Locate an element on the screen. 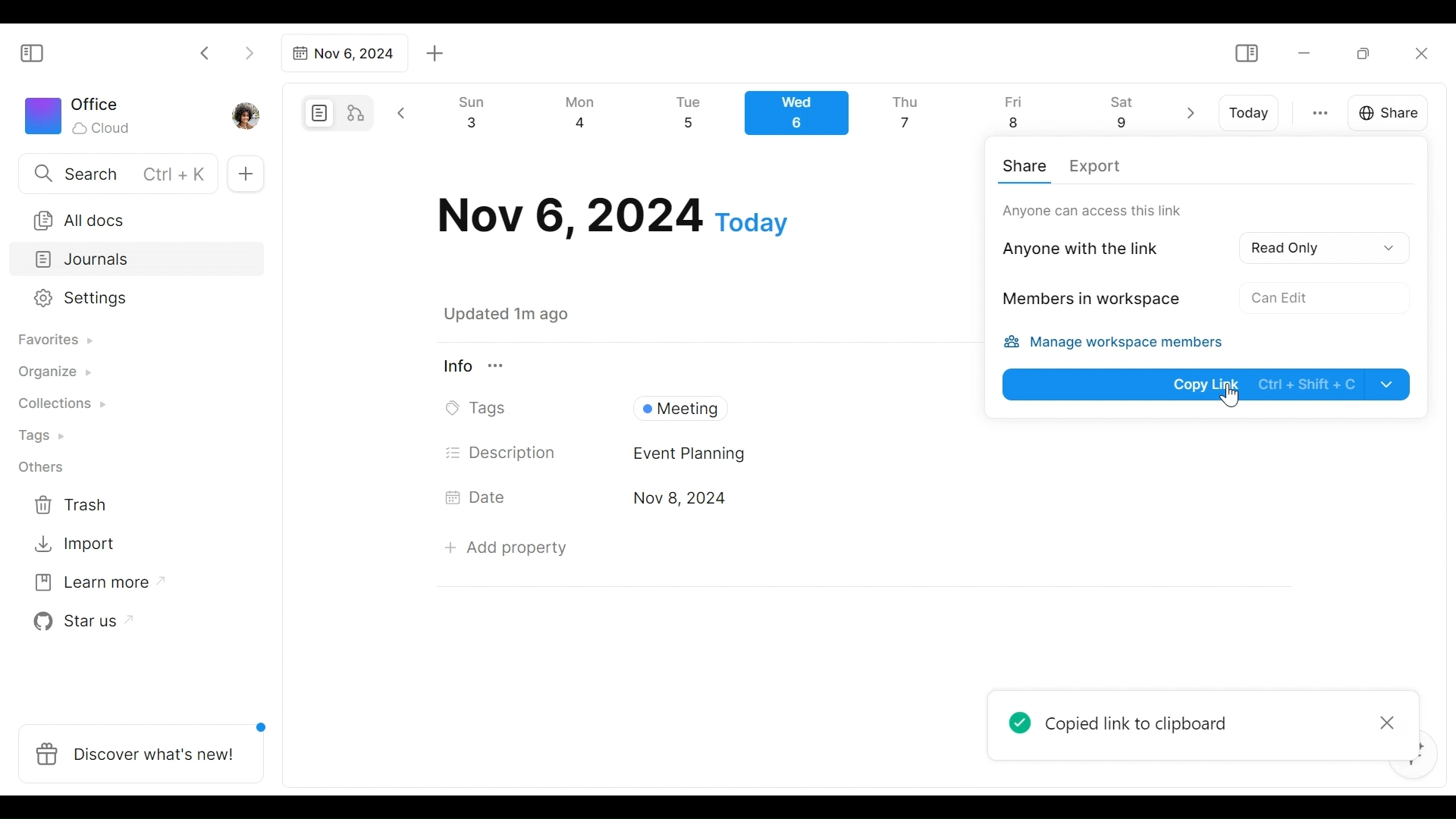 This screenshot has width=1456, height=819. Click to go forward is located at coordinates (249, 52).